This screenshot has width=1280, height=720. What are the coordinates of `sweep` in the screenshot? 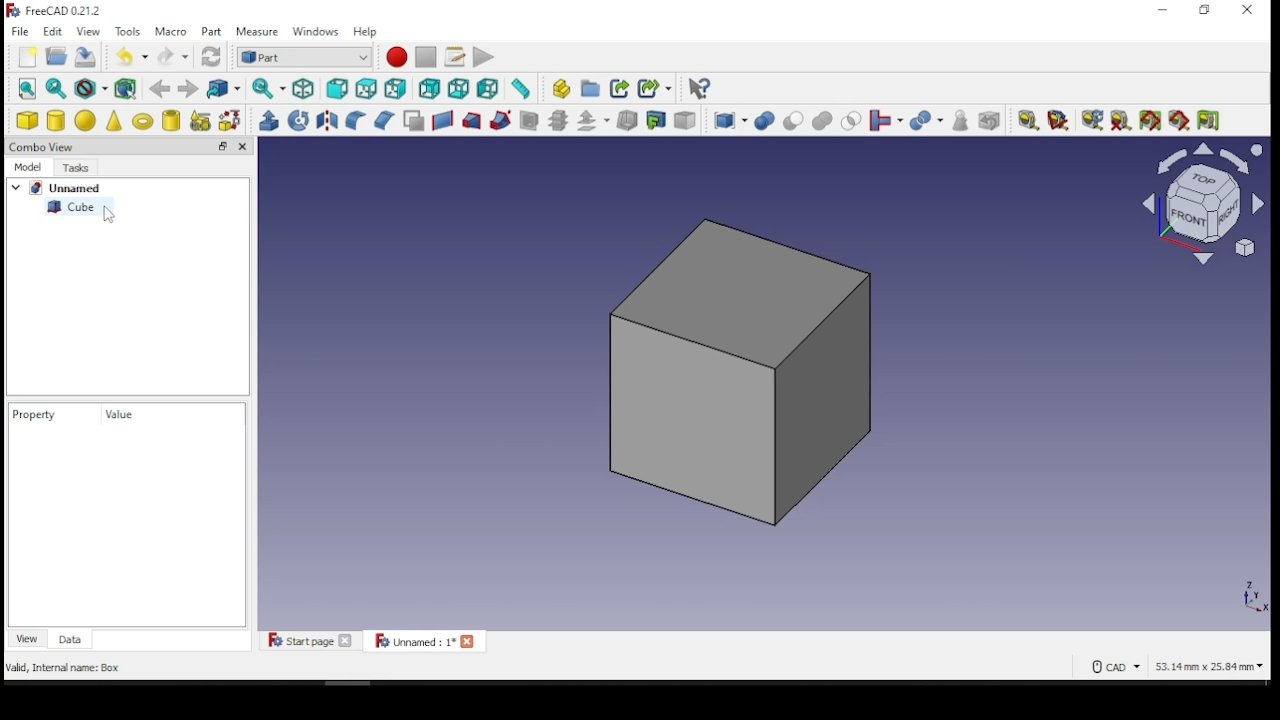 It's located at (502, 120).